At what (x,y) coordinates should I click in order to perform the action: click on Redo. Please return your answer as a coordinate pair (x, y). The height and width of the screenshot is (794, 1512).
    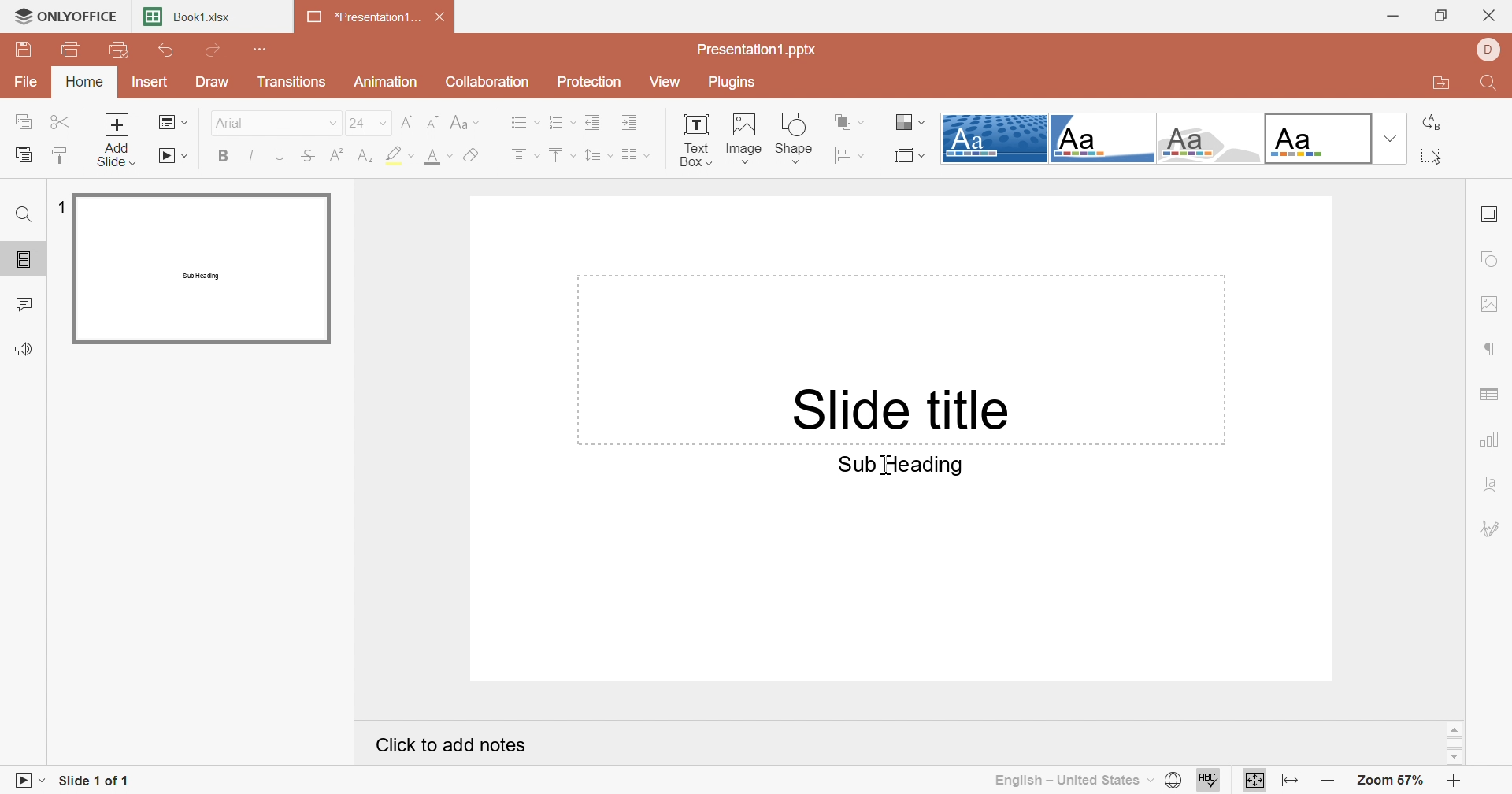
    Looking at the image, I should click on (216, 50).